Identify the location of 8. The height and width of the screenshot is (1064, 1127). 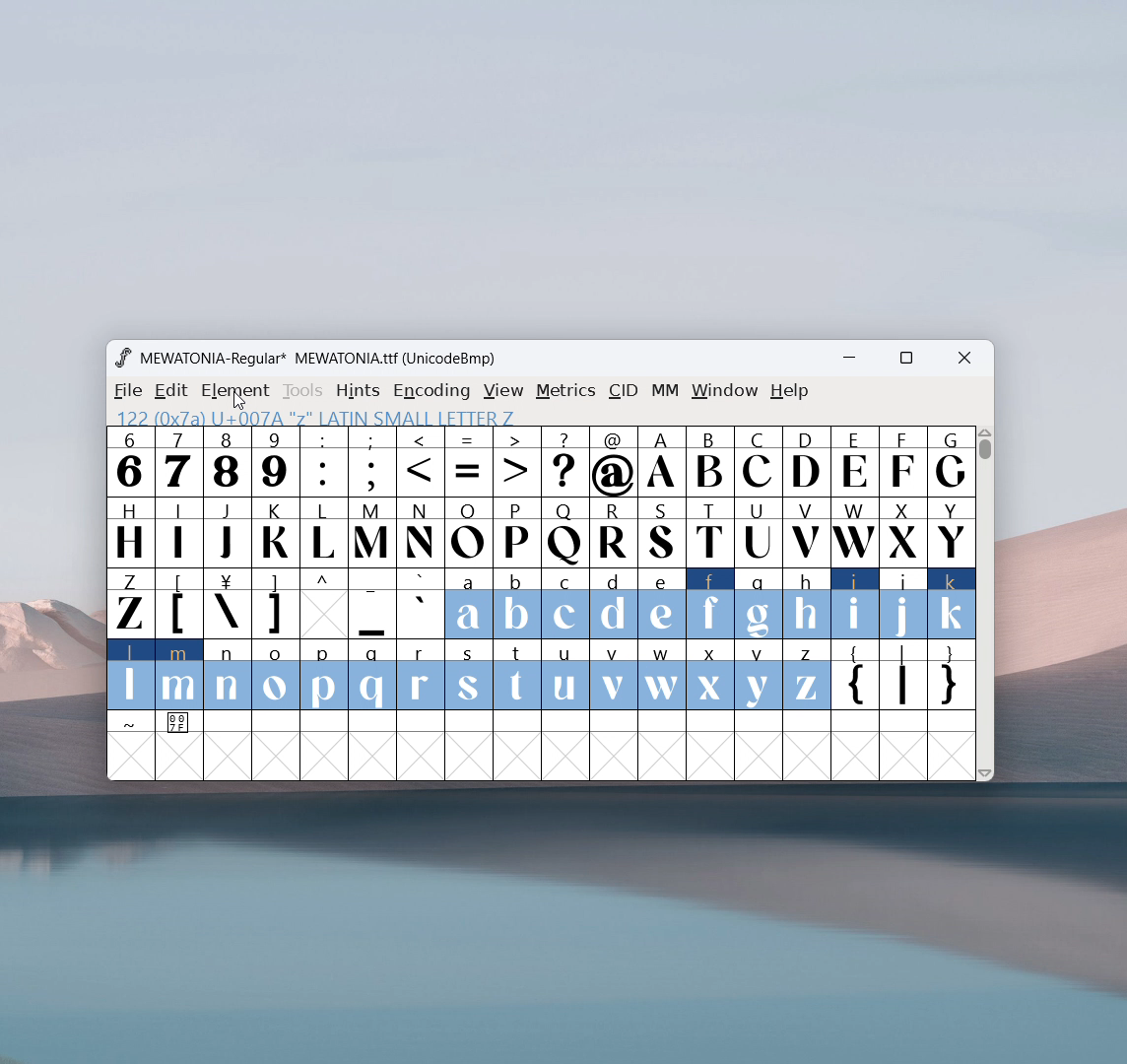
(227, 461).